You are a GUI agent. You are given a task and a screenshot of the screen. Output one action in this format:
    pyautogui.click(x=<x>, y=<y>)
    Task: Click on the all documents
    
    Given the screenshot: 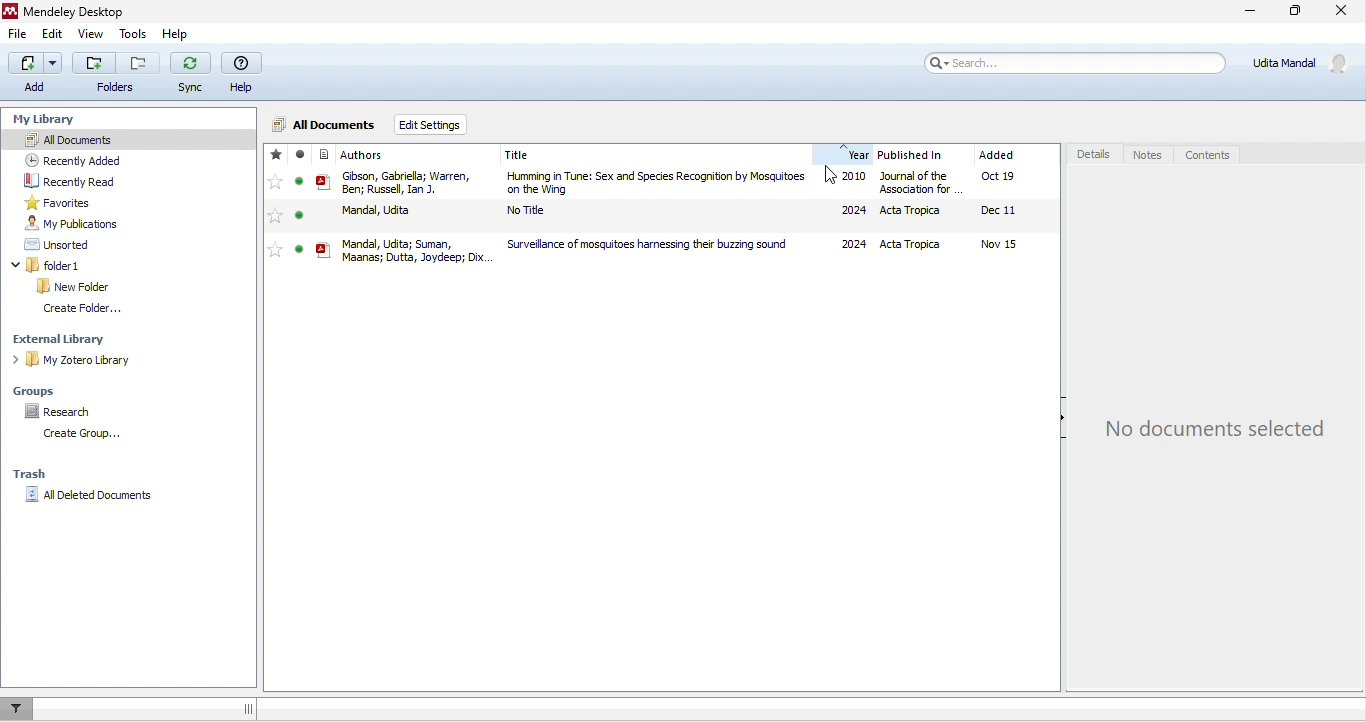 What is the action you would take?
    pyautogui.click(x=68, y=138)
    